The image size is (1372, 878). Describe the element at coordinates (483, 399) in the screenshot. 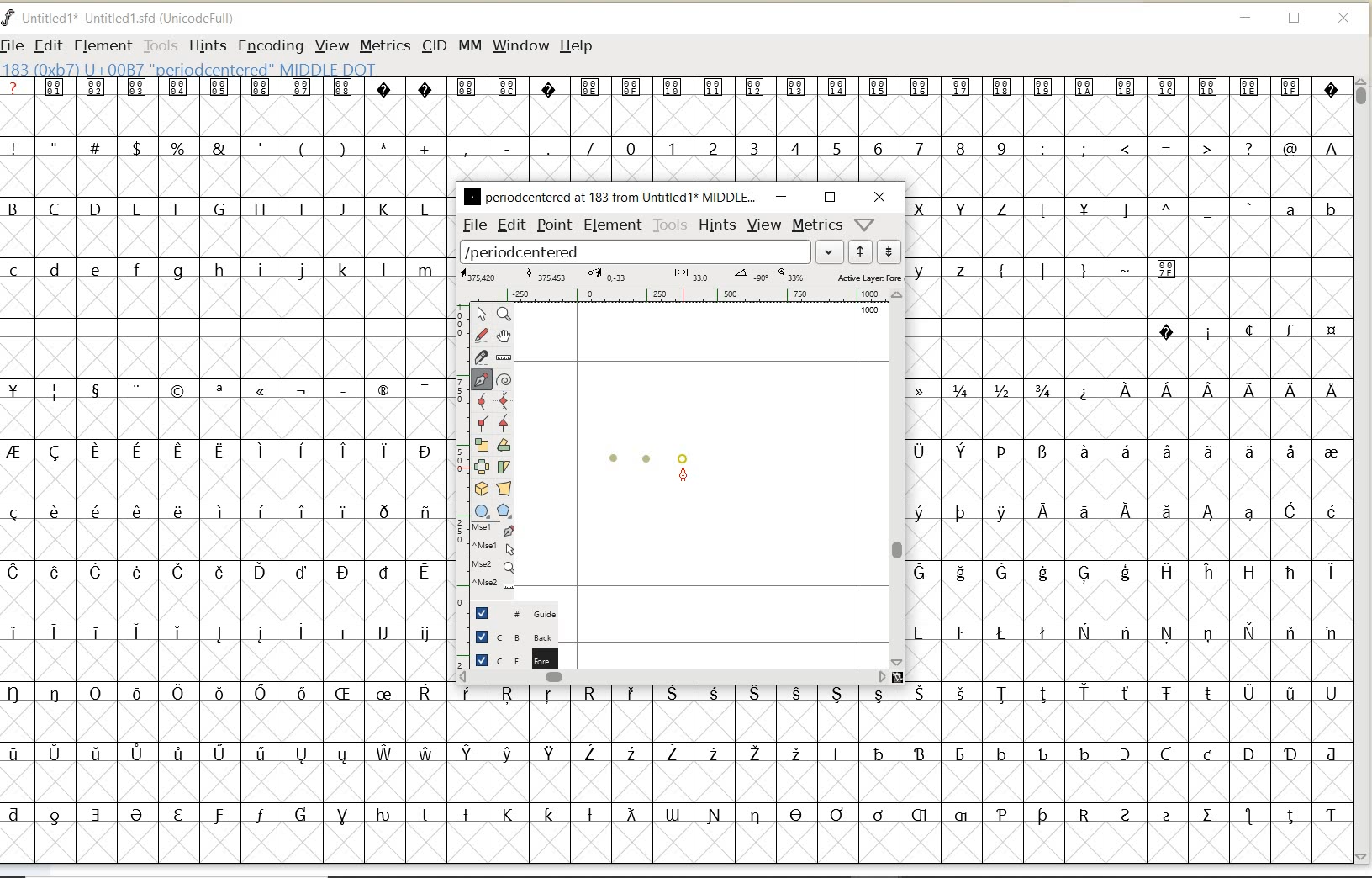

I see `add a curve point` at that location.